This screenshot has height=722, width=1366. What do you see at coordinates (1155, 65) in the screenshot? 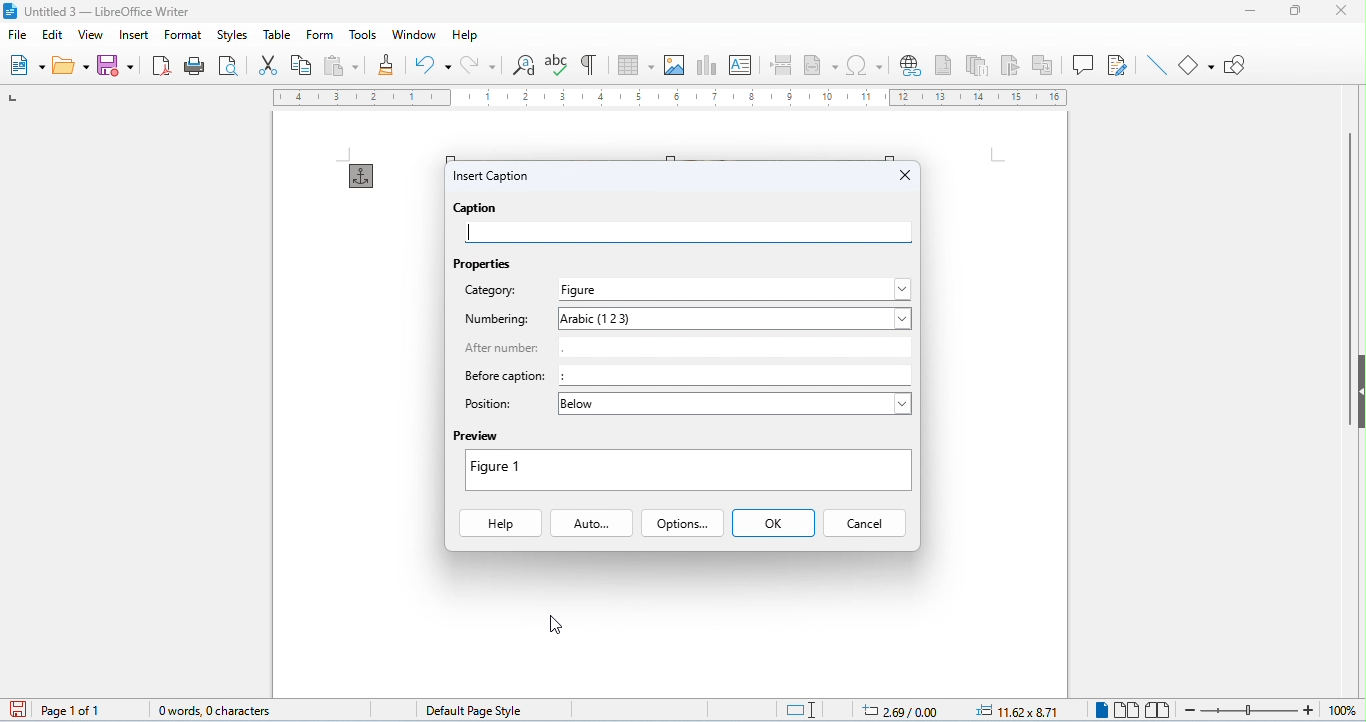
I see `line` at bounding box center [1155, 65].